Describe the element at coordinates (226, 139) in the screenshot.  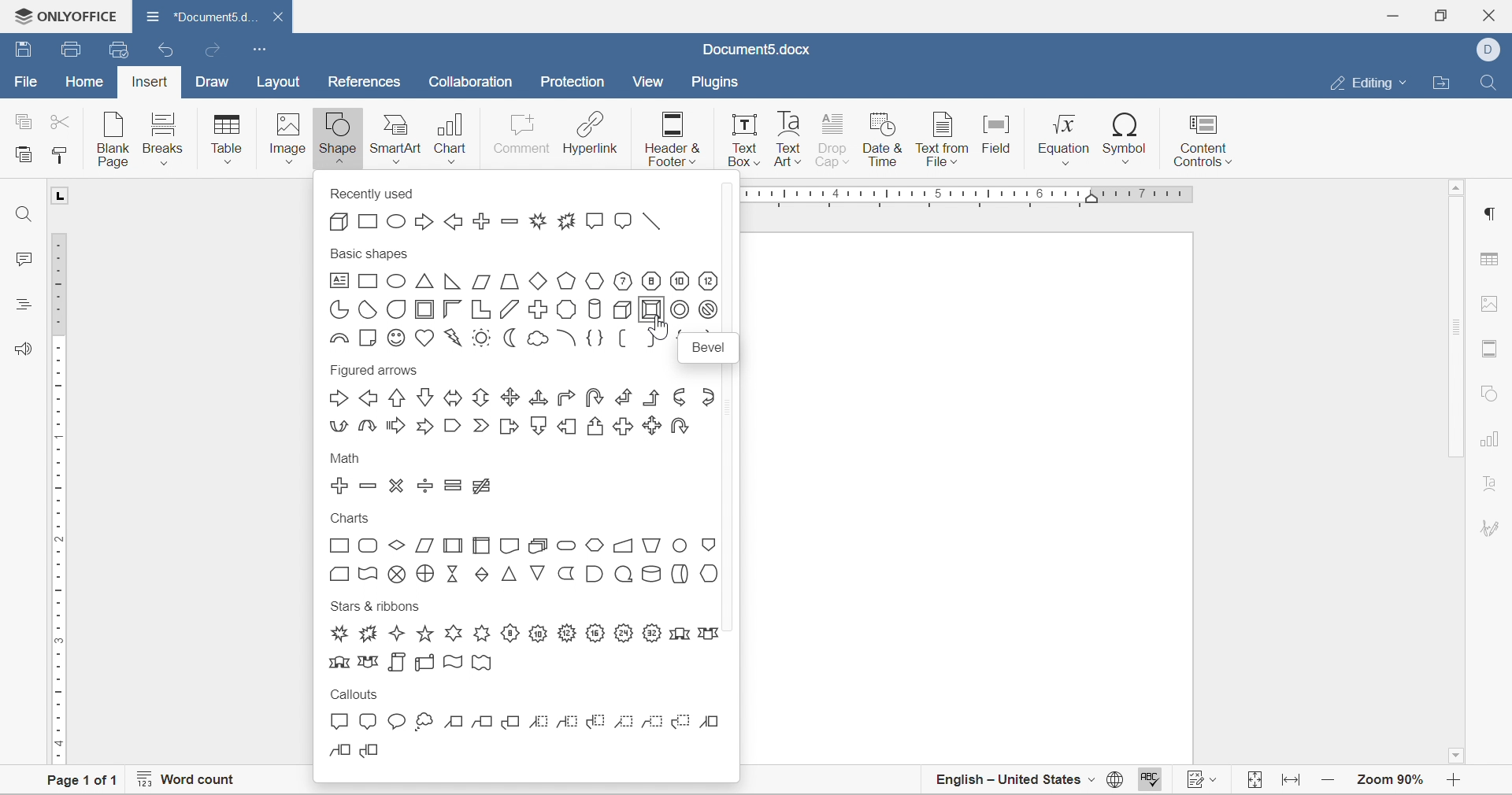
I see `table` at that location.